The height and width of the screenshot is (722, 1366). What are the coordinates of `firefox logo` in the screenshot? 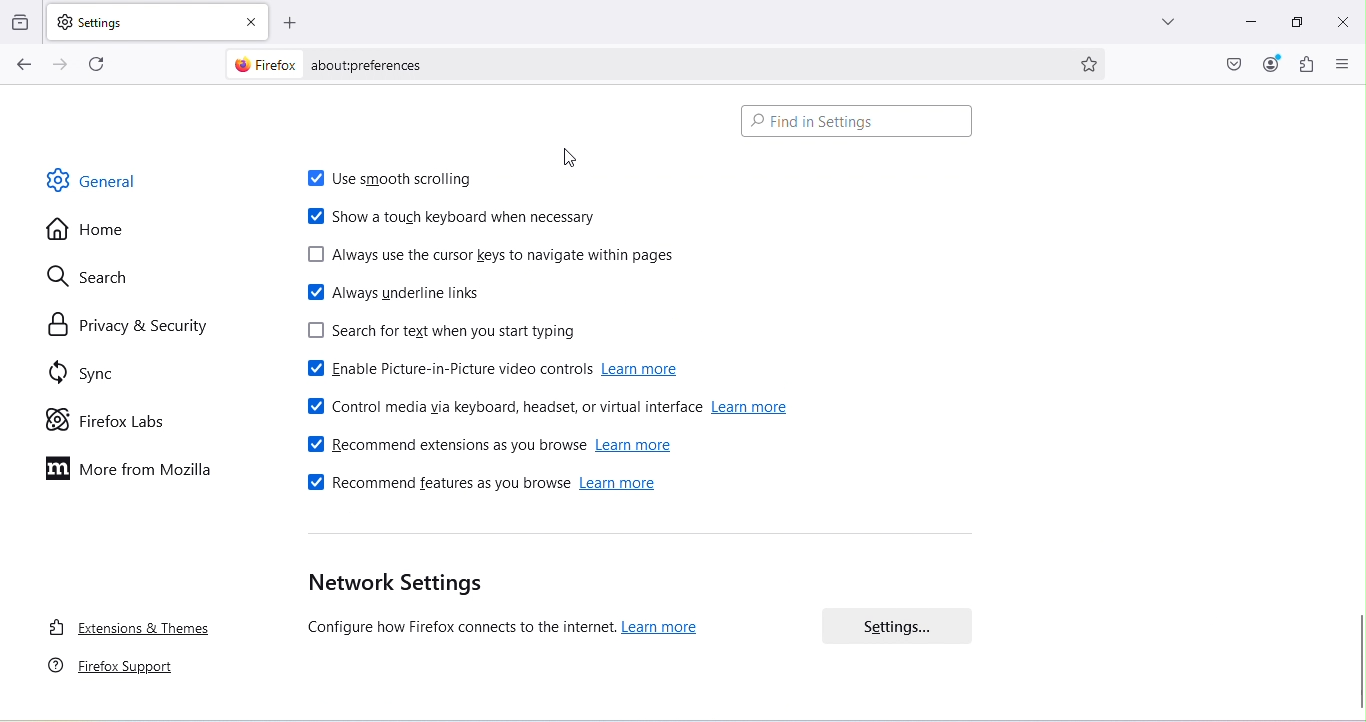 It's located at (265, 64).